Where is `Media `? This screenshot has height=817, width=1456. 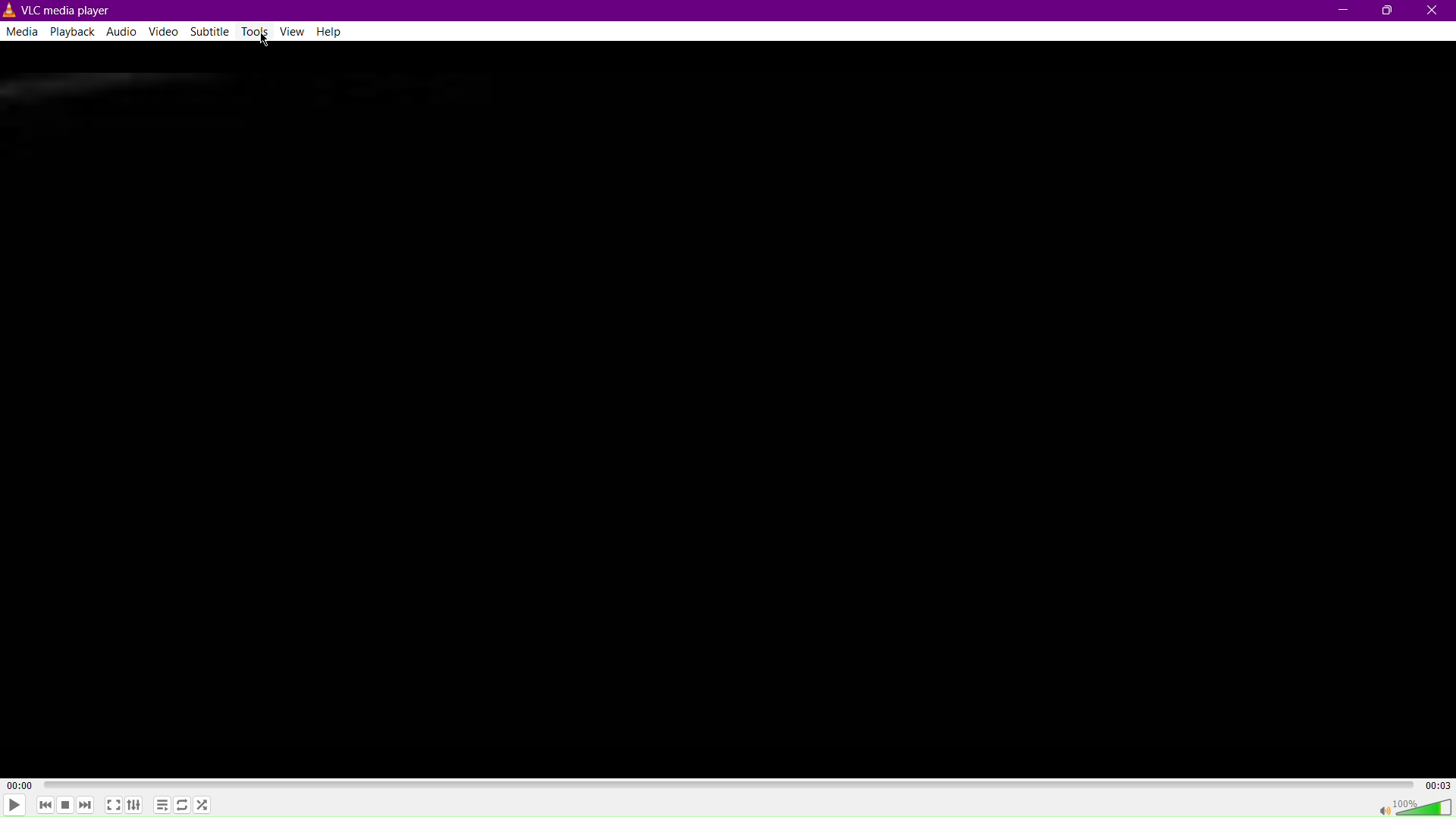 Media  is located at coordinates (23, 33).